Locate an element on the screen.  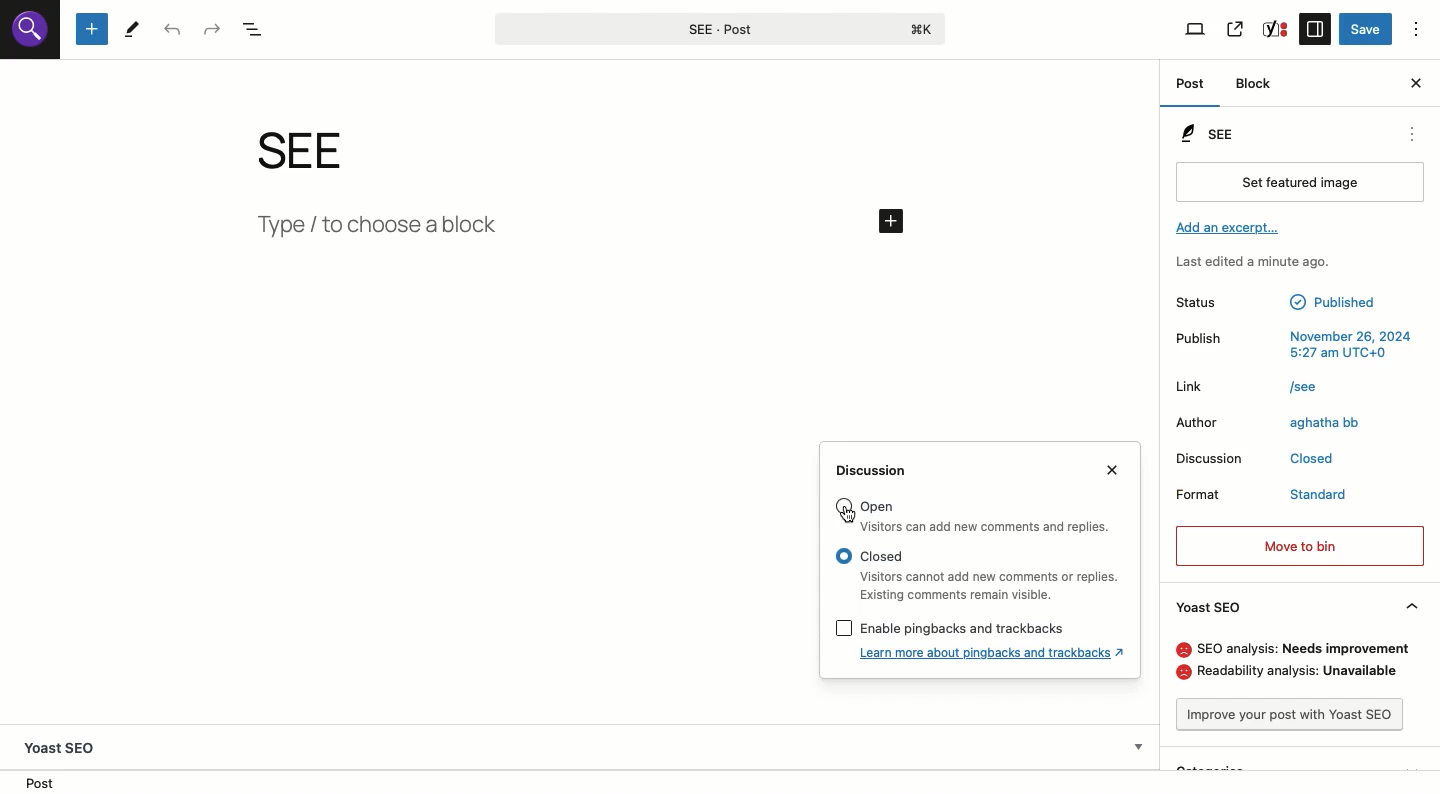
Close is located at coordinates (1118, 469).